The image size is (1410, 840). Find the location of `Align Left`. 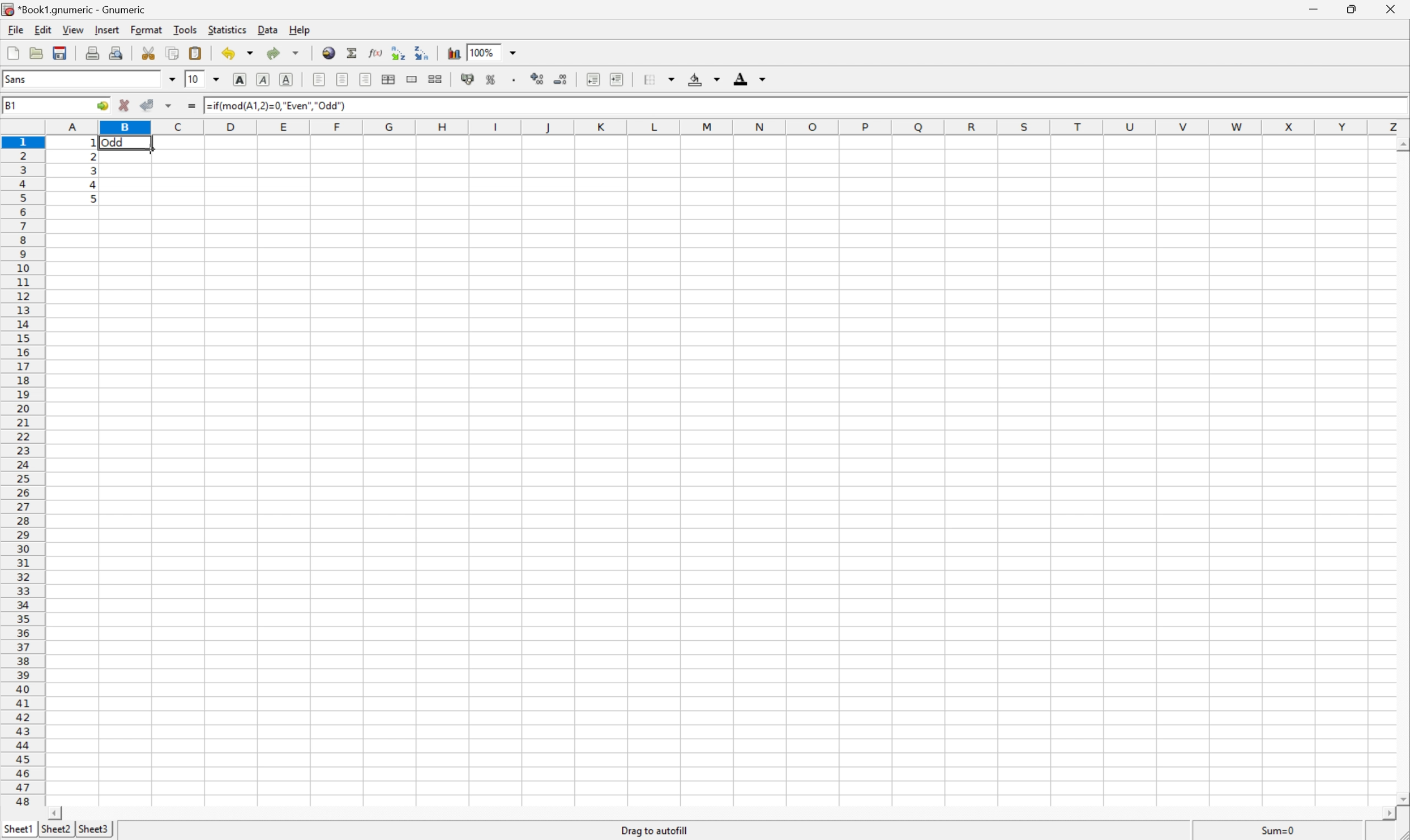

Align Left is located at coordinates (320, 80).